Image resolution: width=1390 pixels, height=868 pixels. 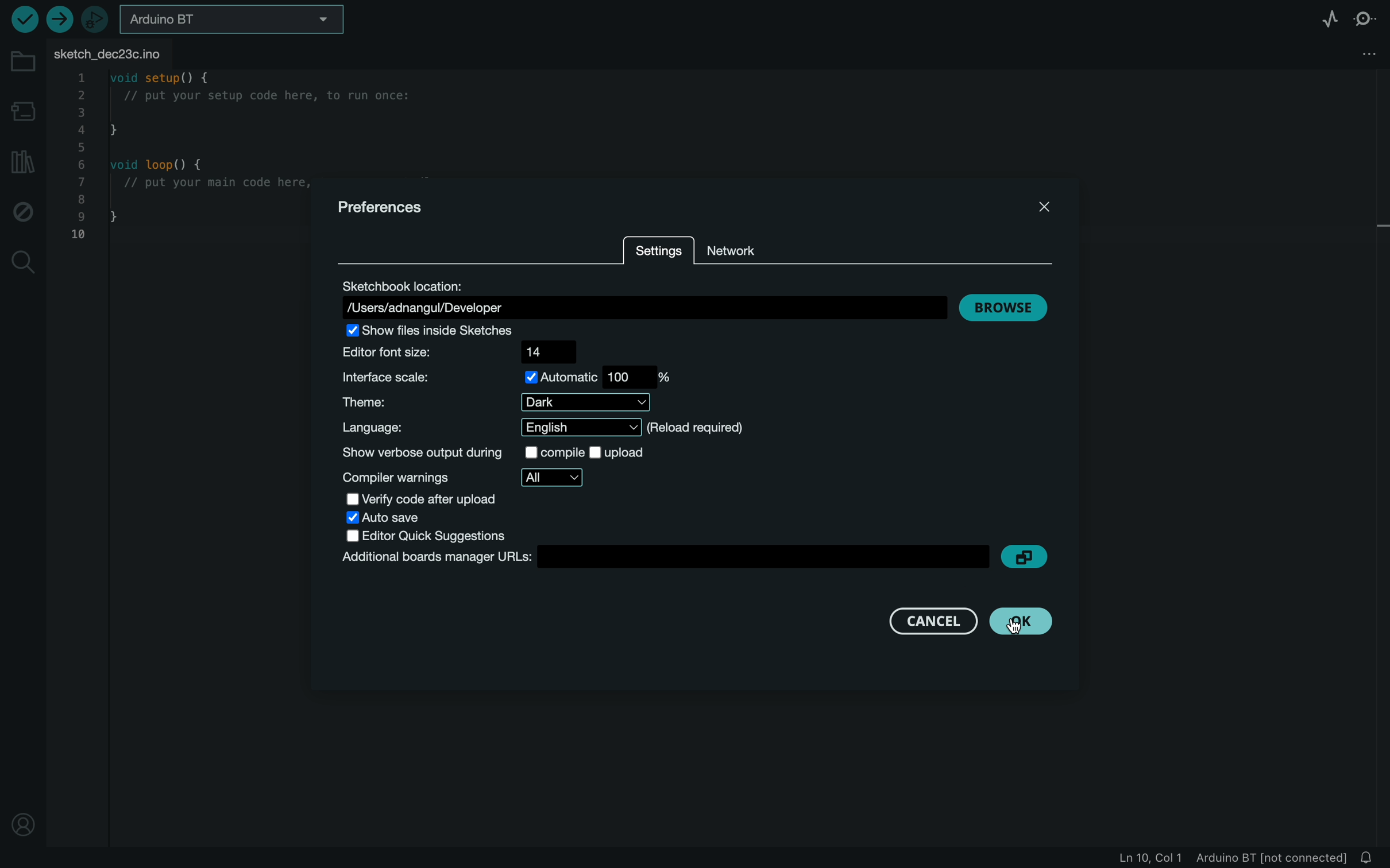 What do you see at coordinates (184, 164) in the screenshot?
I see `code` at bounding box center [184, 164].